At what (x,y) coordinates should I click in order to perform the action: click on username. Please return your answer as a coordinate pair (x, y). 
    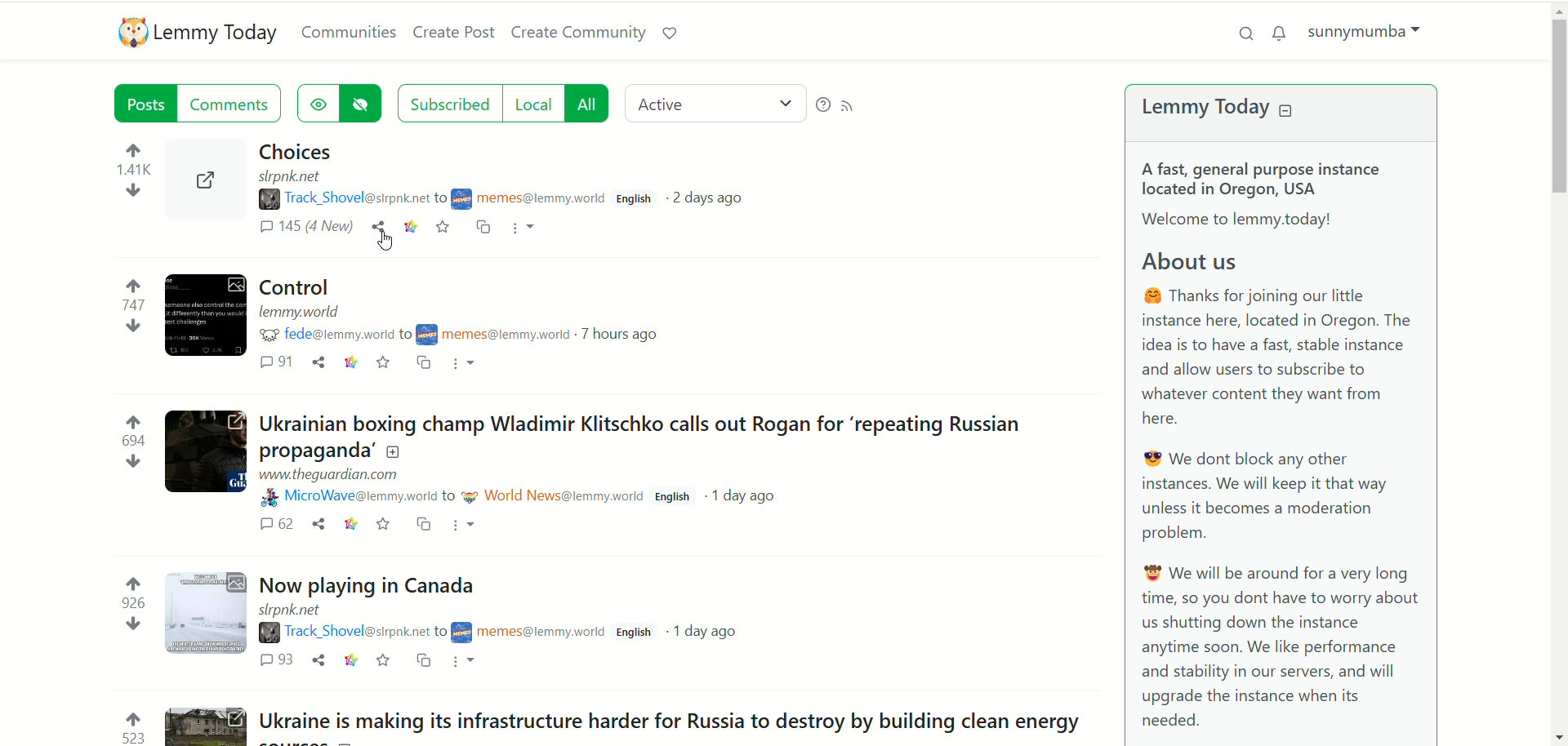
    Looking at the image, I should click on (352, 497).